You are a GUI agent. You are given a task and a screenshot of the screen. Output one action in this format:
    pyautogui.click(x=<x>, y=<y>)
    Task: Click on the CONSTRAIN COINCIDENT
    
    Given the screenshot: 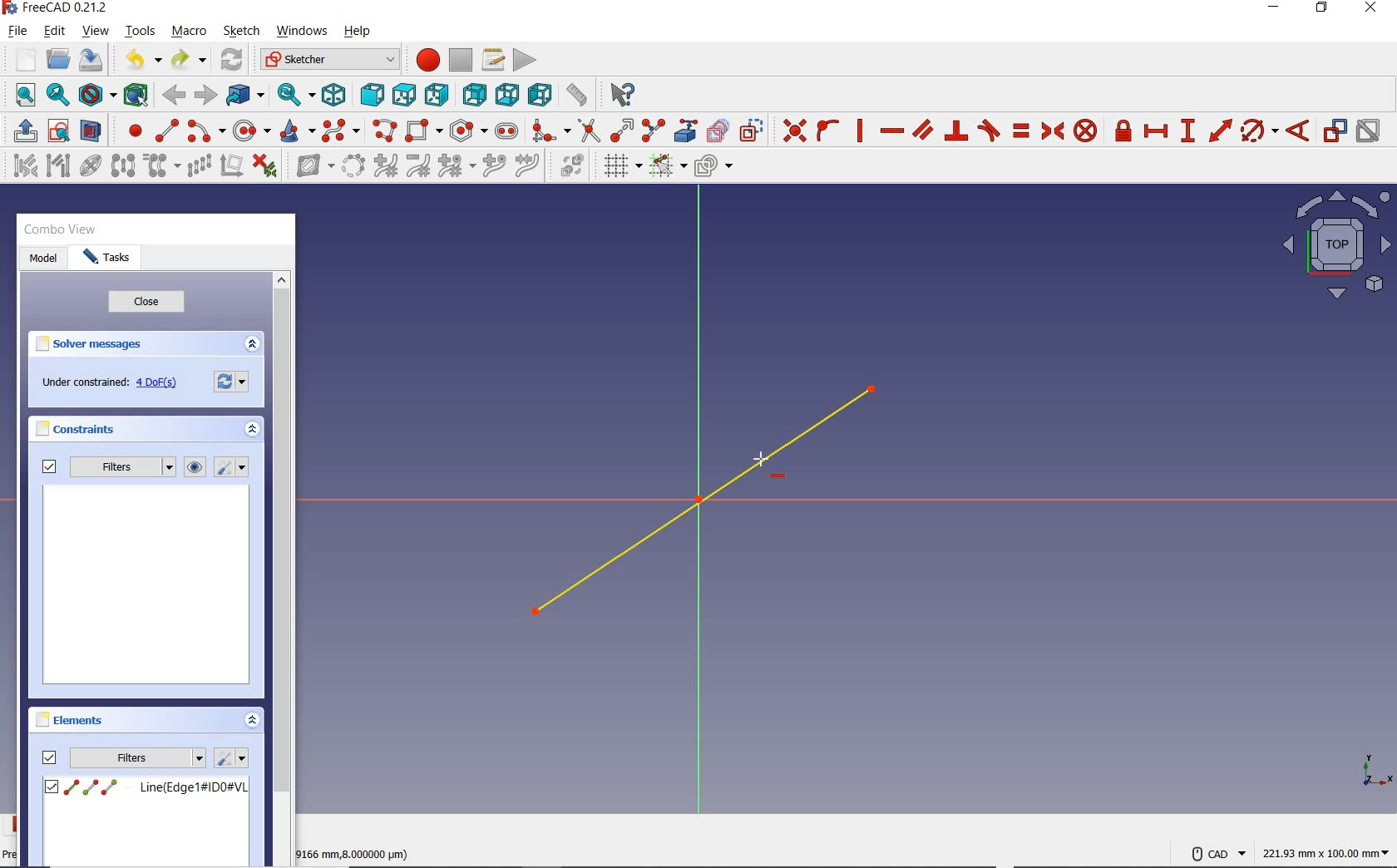 What is the action you would take?
    pyautogui.click(x=795, y=129)
    